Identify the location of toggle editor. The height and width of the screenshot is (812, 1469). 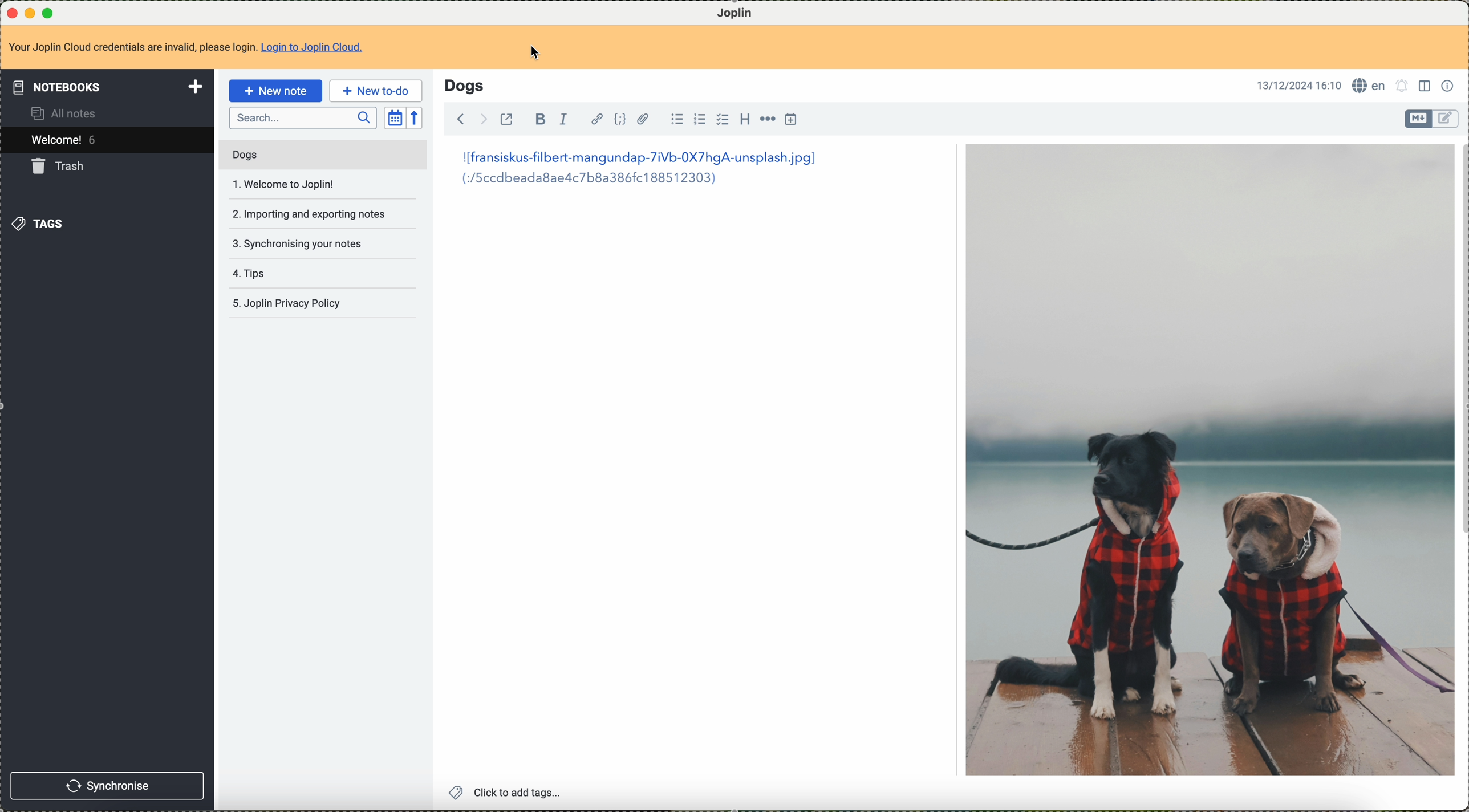
(1418, 119).